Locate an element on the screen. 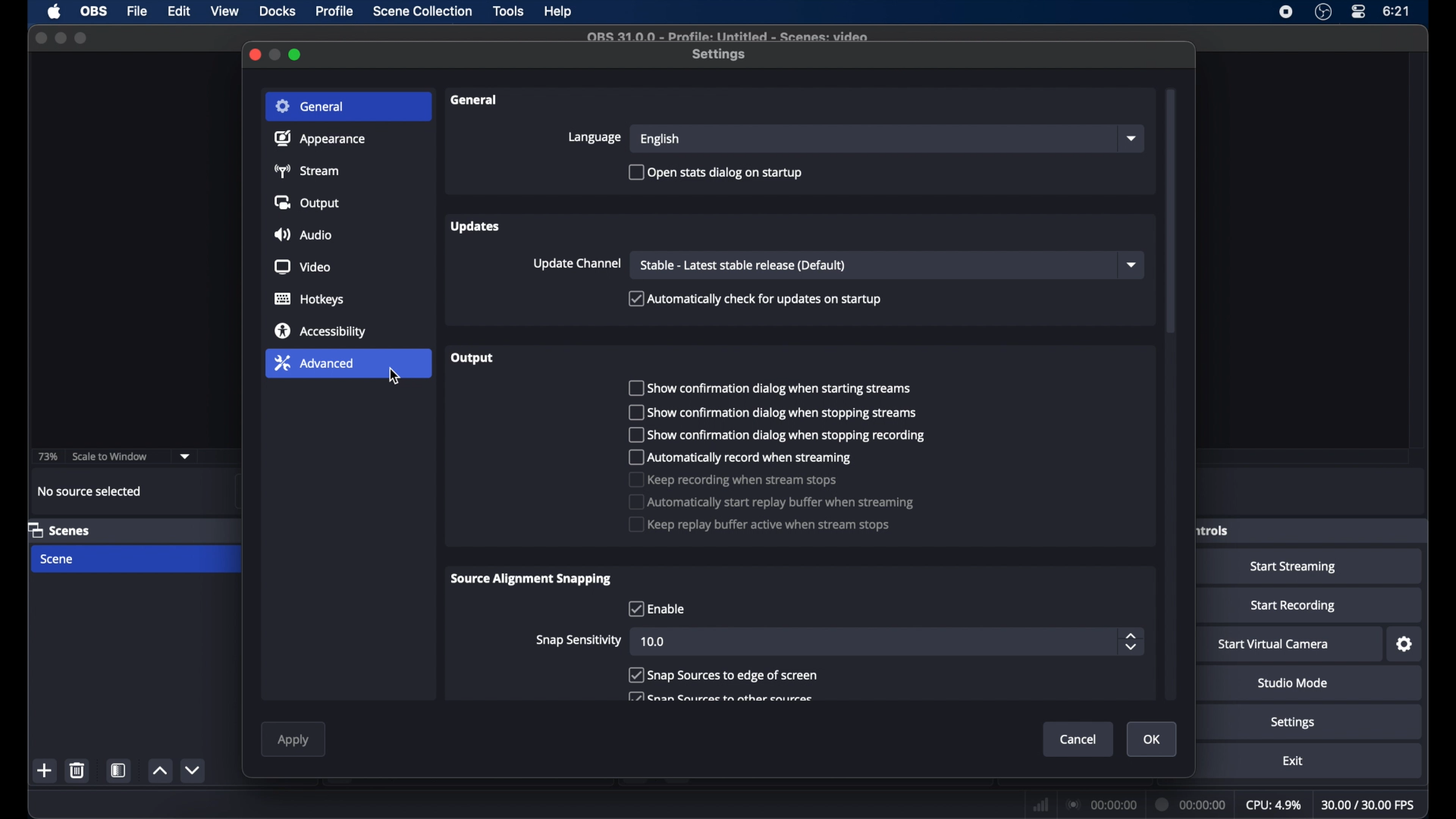 Image resolution: width=1456 pixels, height=819 pixels. output is located at coordinates (305, 202).